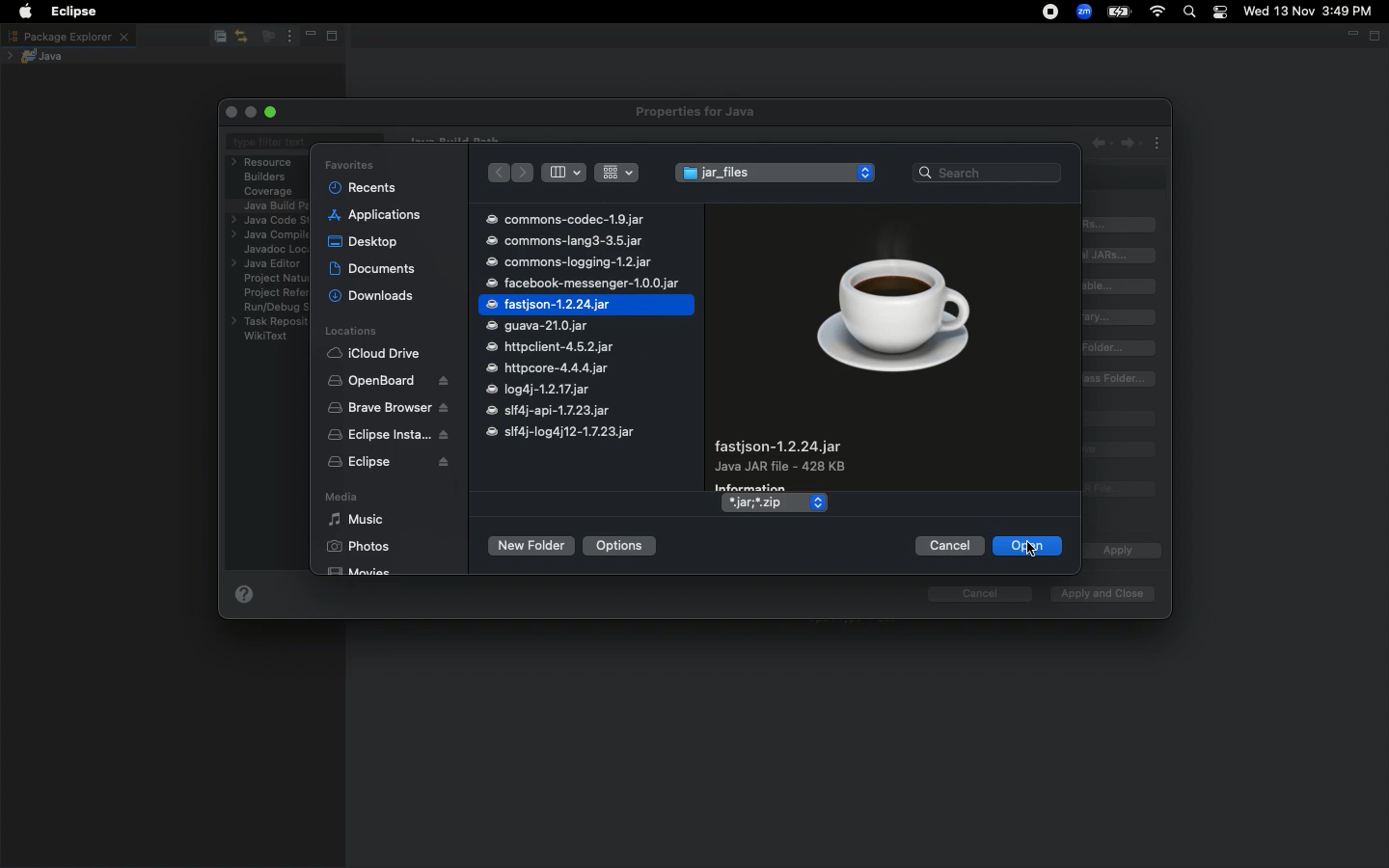 The image size is (1389, 868). What do you see at coordinates (760, 176) in the screenshot?
I see `JAR files` at bounding box center [760, 176].